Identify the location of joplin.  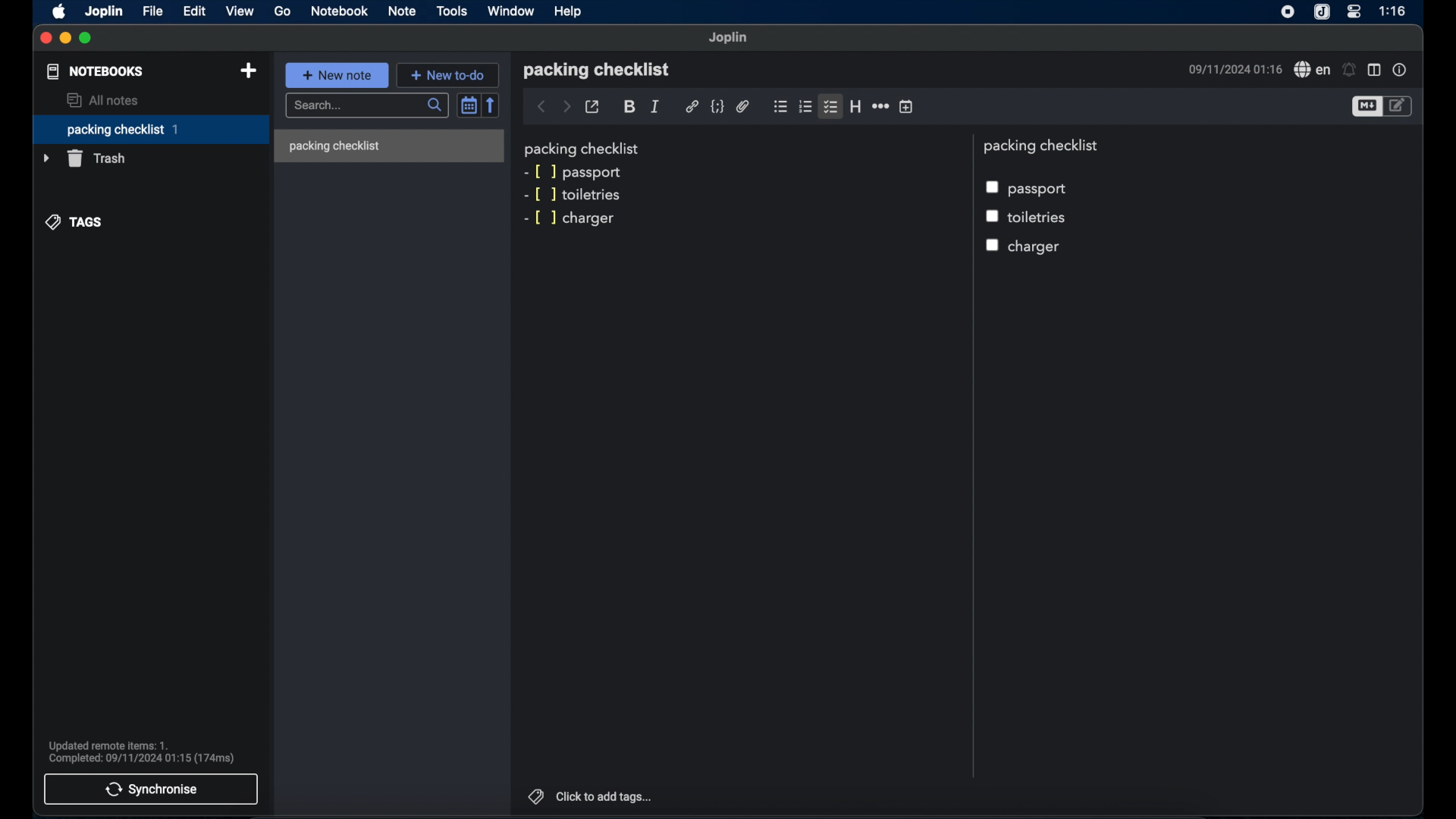
(730, 38).